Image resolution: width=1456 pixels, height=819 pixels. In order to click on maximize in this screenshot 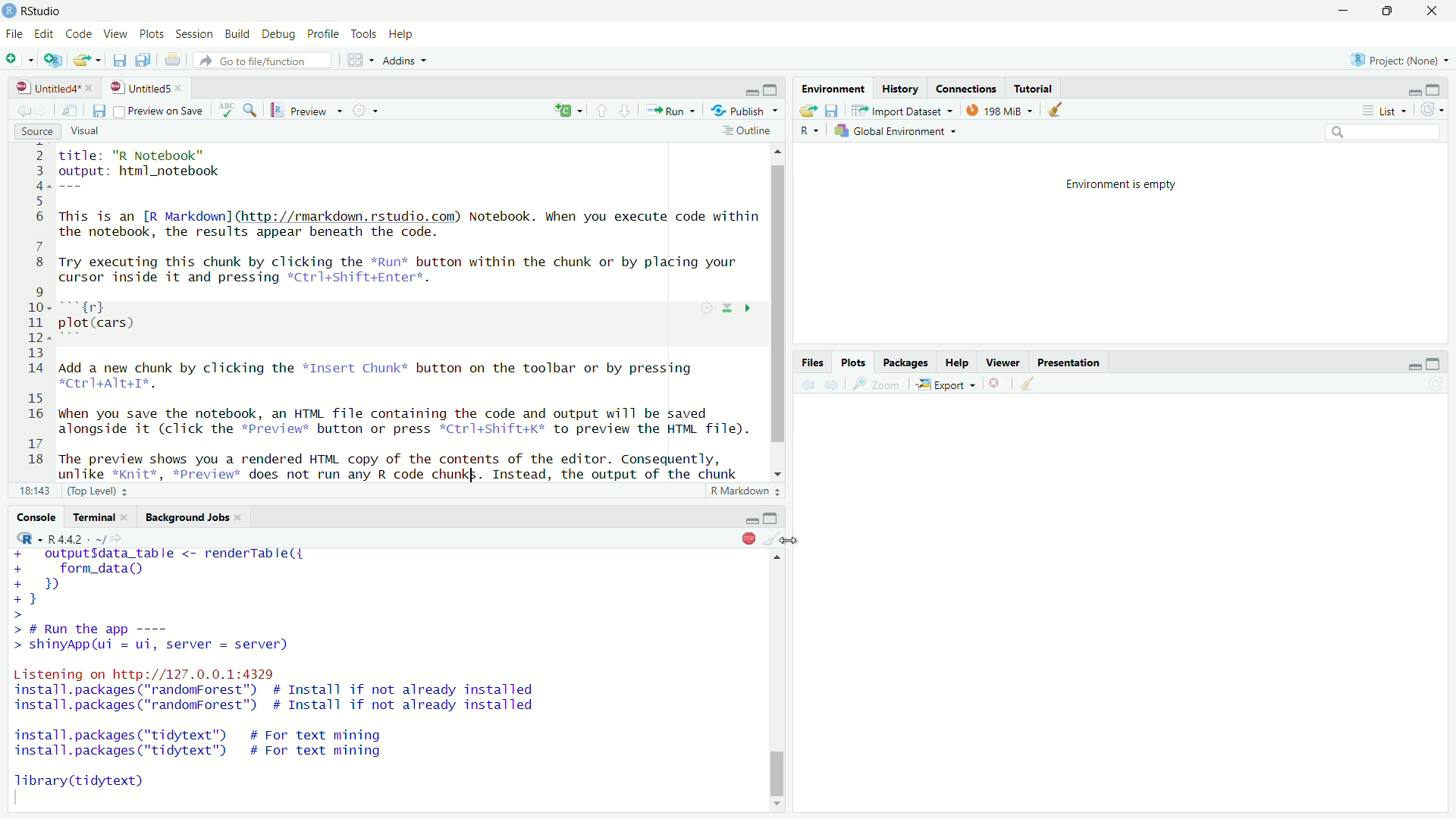, I will do `click(1437, 89)`.